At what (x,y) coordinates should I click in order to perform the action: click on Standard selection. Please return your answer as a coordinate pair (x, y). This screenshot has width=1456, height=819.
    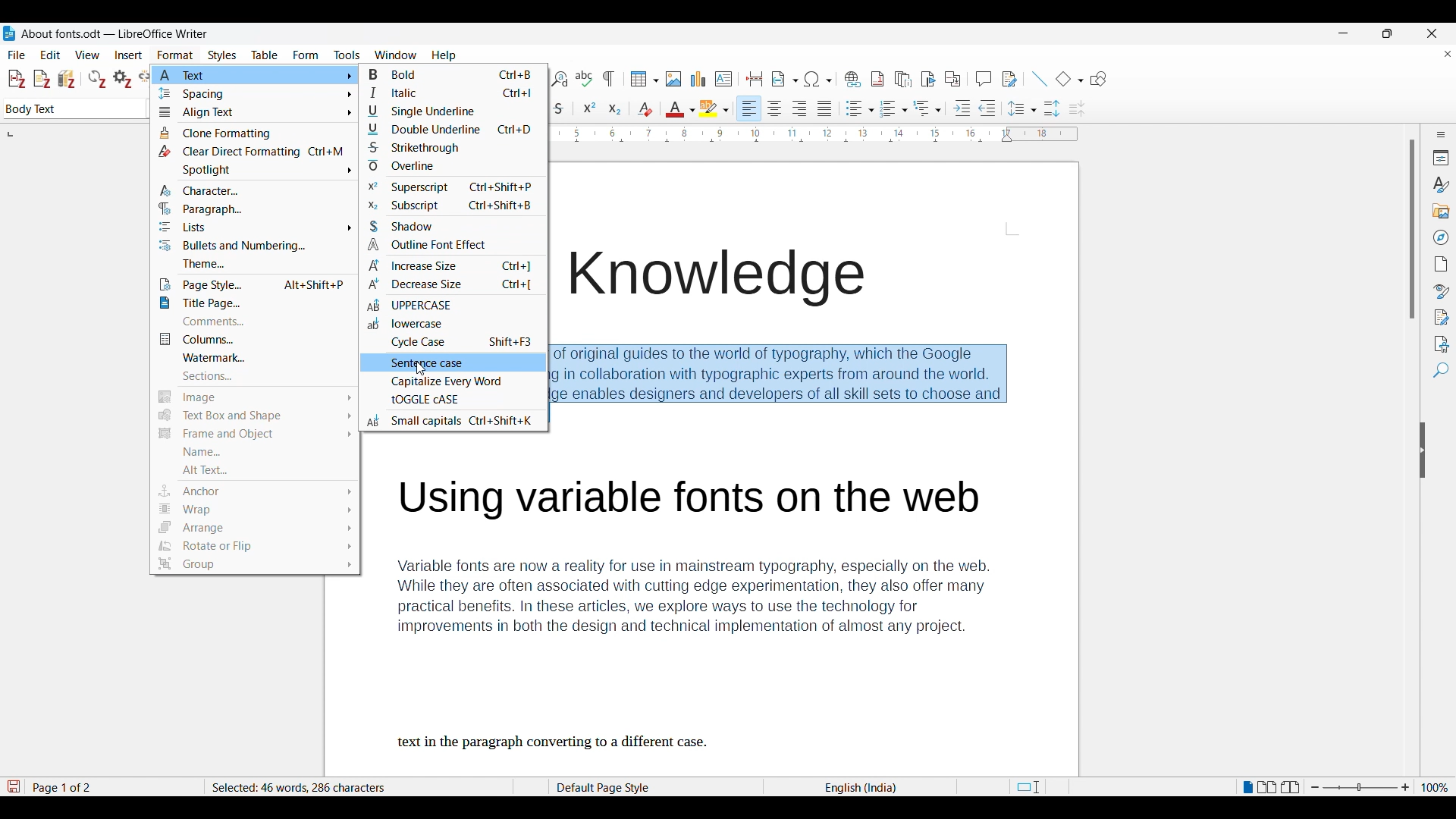
    Looking at the image, I should click on (1027, 787).